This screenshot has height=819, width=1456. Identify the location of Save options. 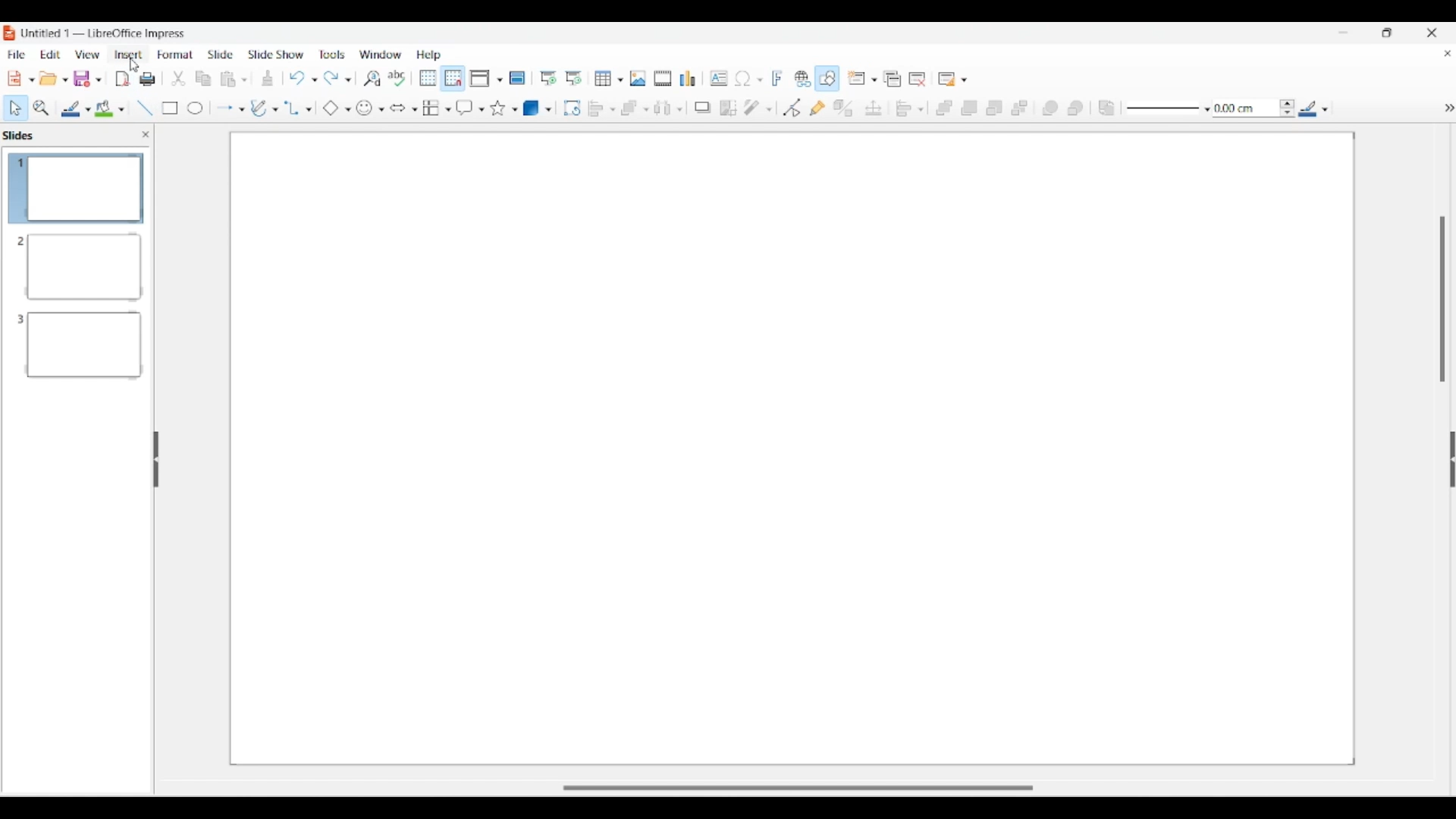
(88, 79).